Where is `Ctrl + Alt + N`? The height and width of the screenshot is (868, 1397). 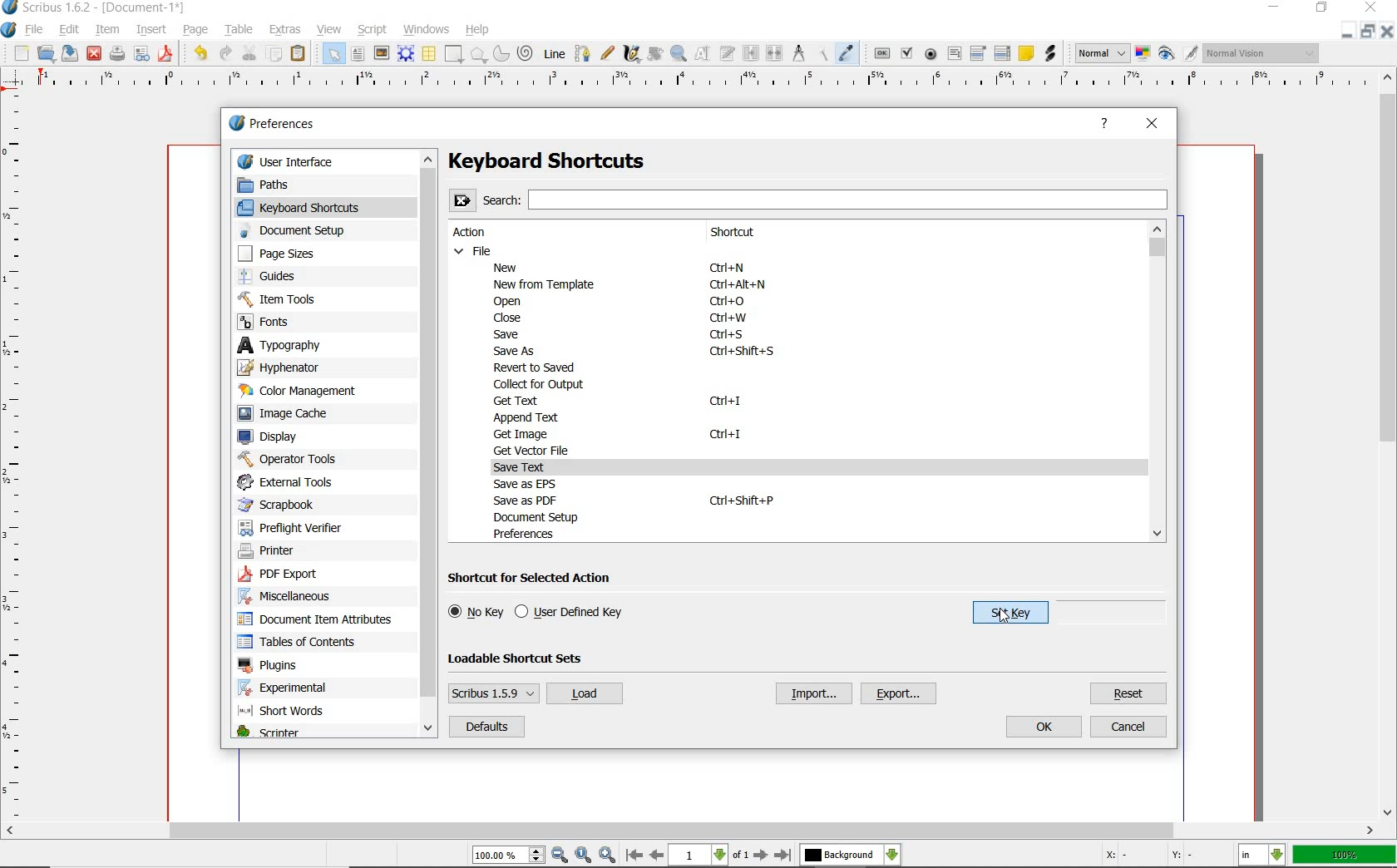
Ctrl + Alt + N is located at coordinates (738, 287).